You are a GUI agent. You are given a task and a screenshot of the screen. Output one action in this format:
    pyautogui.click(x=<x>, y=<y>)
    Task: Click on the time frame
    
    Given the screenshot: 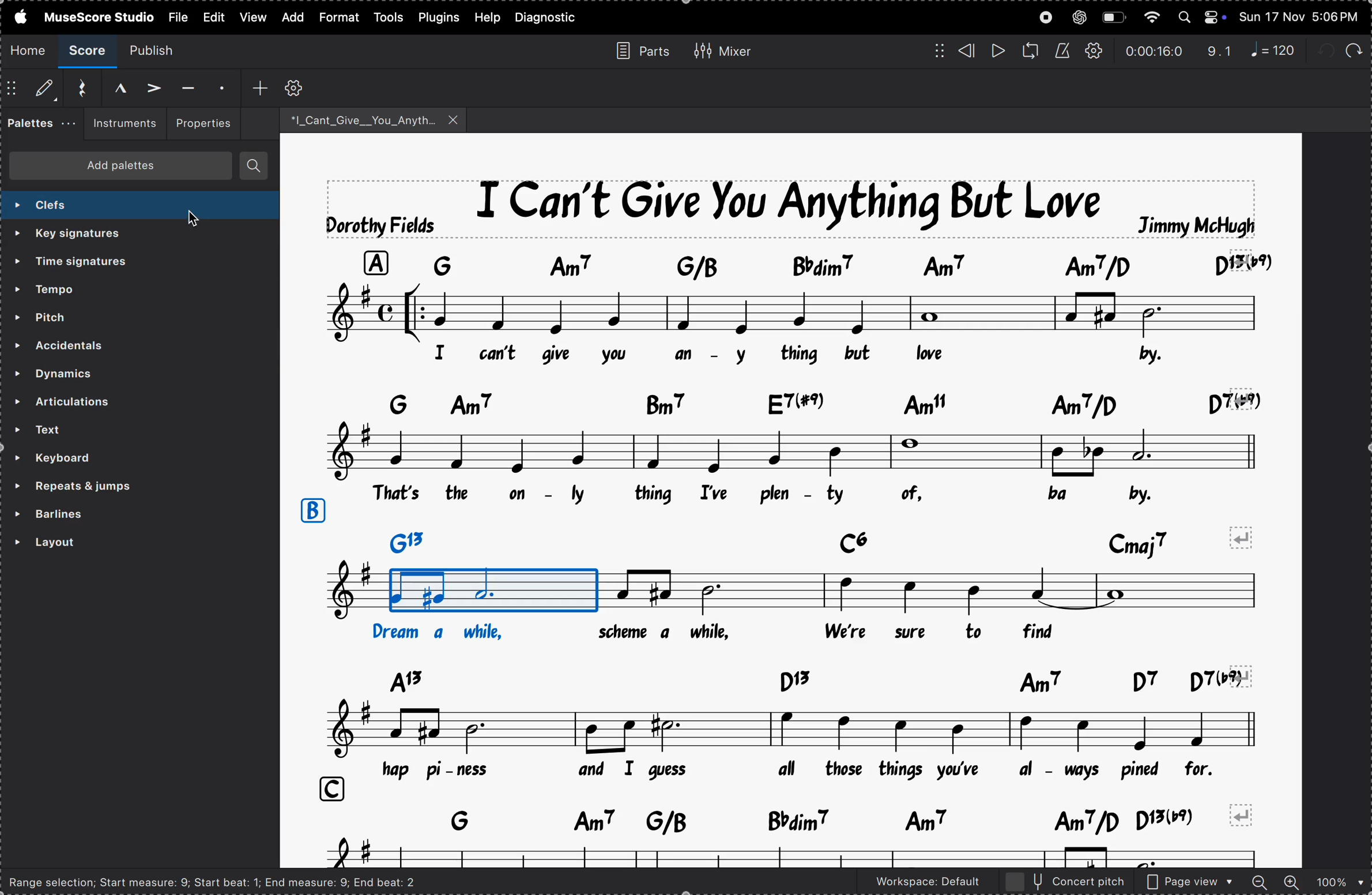 What is the action you would take?
    pyautogui.click(x=1154, y=51)
    